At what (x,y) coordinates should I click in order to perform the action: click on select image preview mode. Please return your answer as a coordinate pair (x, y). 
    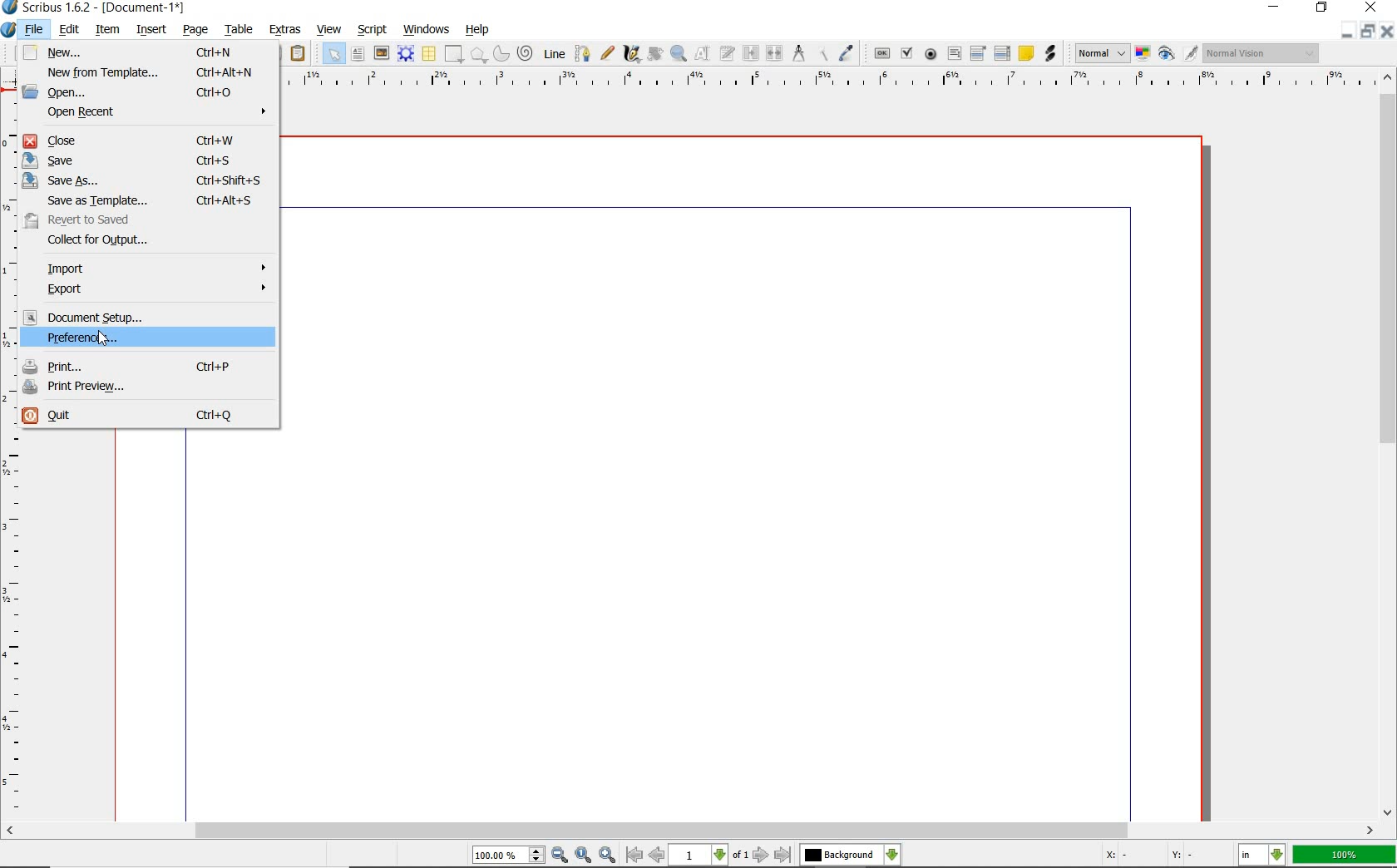
    Looking at the image, I should click on (1103, 52).